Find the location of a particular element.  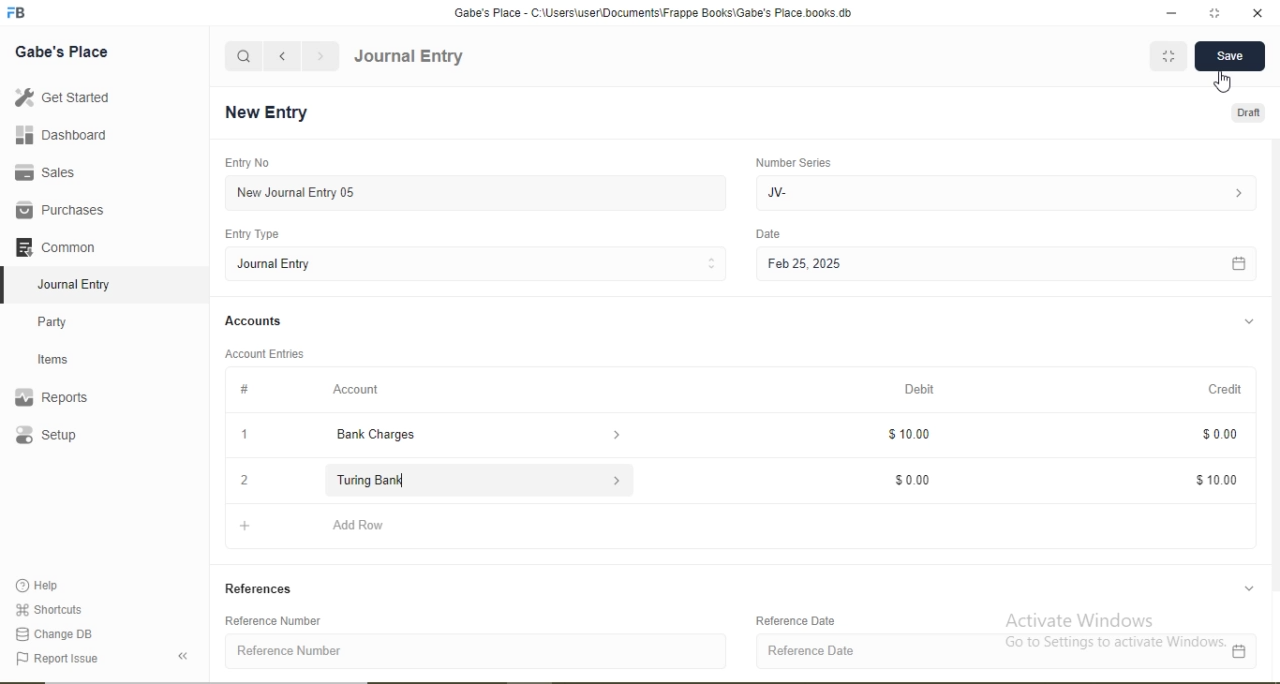

logo is located at coordinates (18, 13).